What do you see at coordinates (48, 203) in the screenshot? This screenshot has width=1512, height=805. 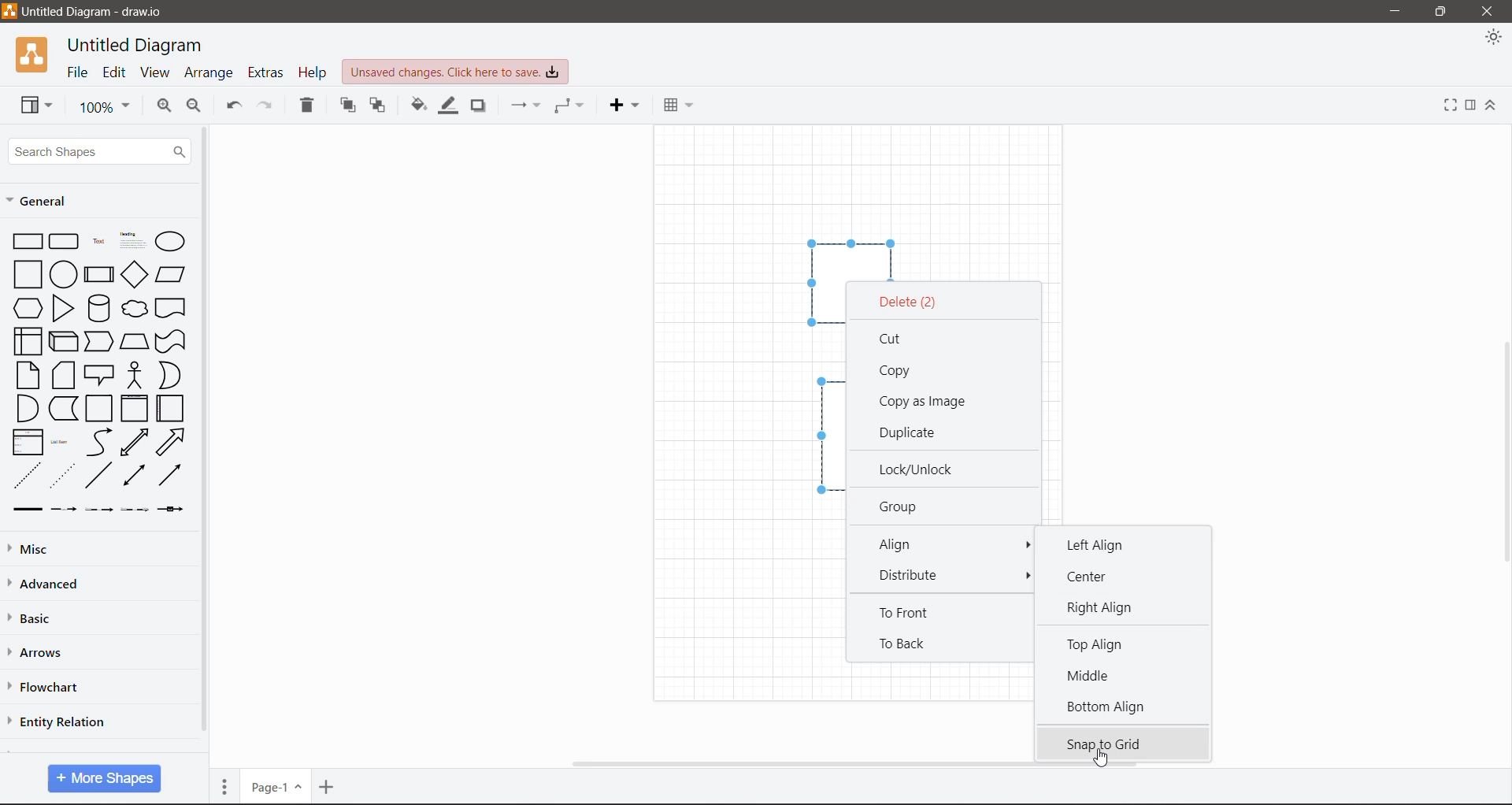 I see `General` at bounding box center [48, 203].